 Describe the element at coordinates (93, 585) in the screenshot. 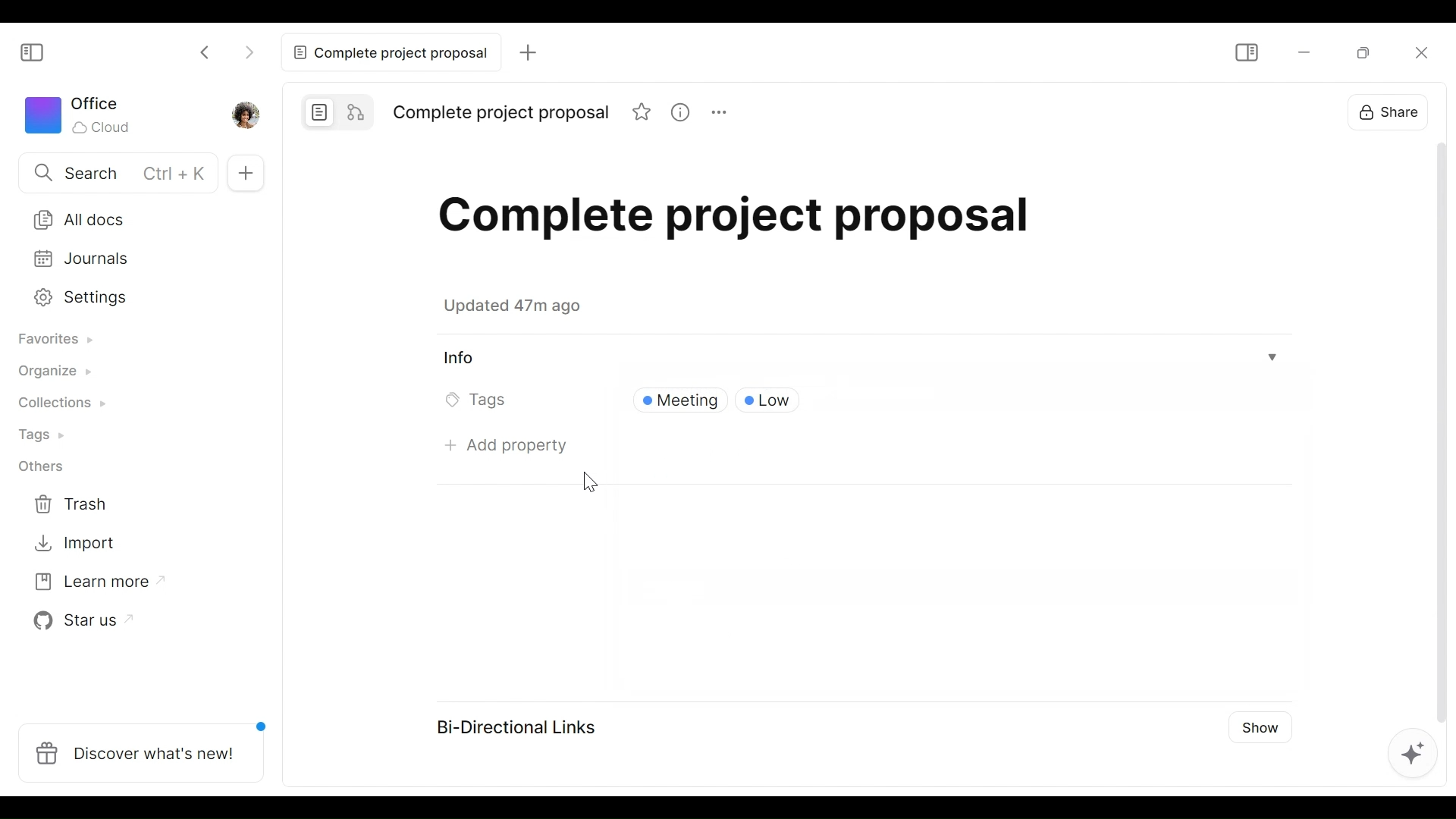

I see `Learn more` at that location.